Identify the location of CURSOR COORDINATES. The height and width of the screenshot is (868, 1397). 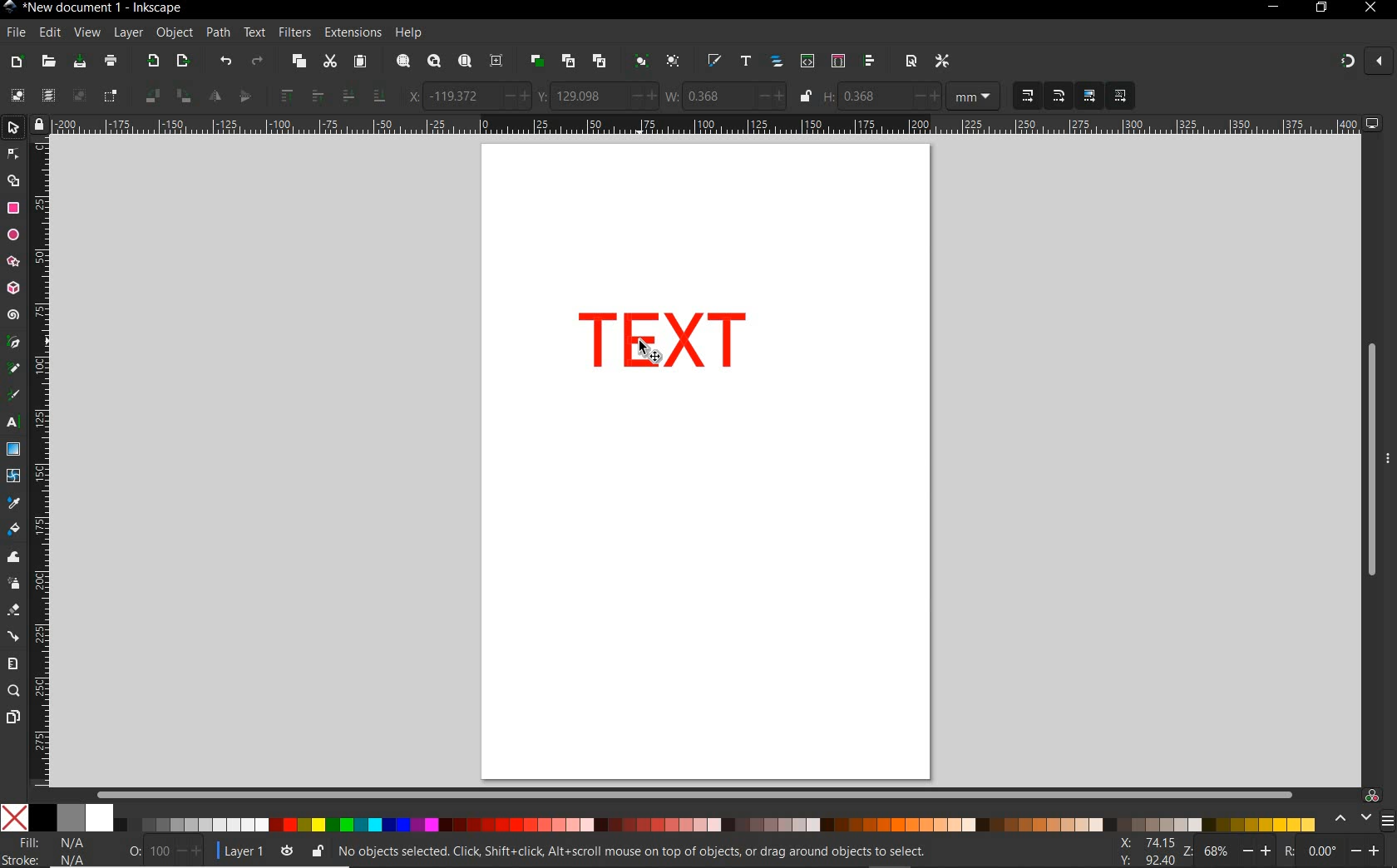
(1142, 852).